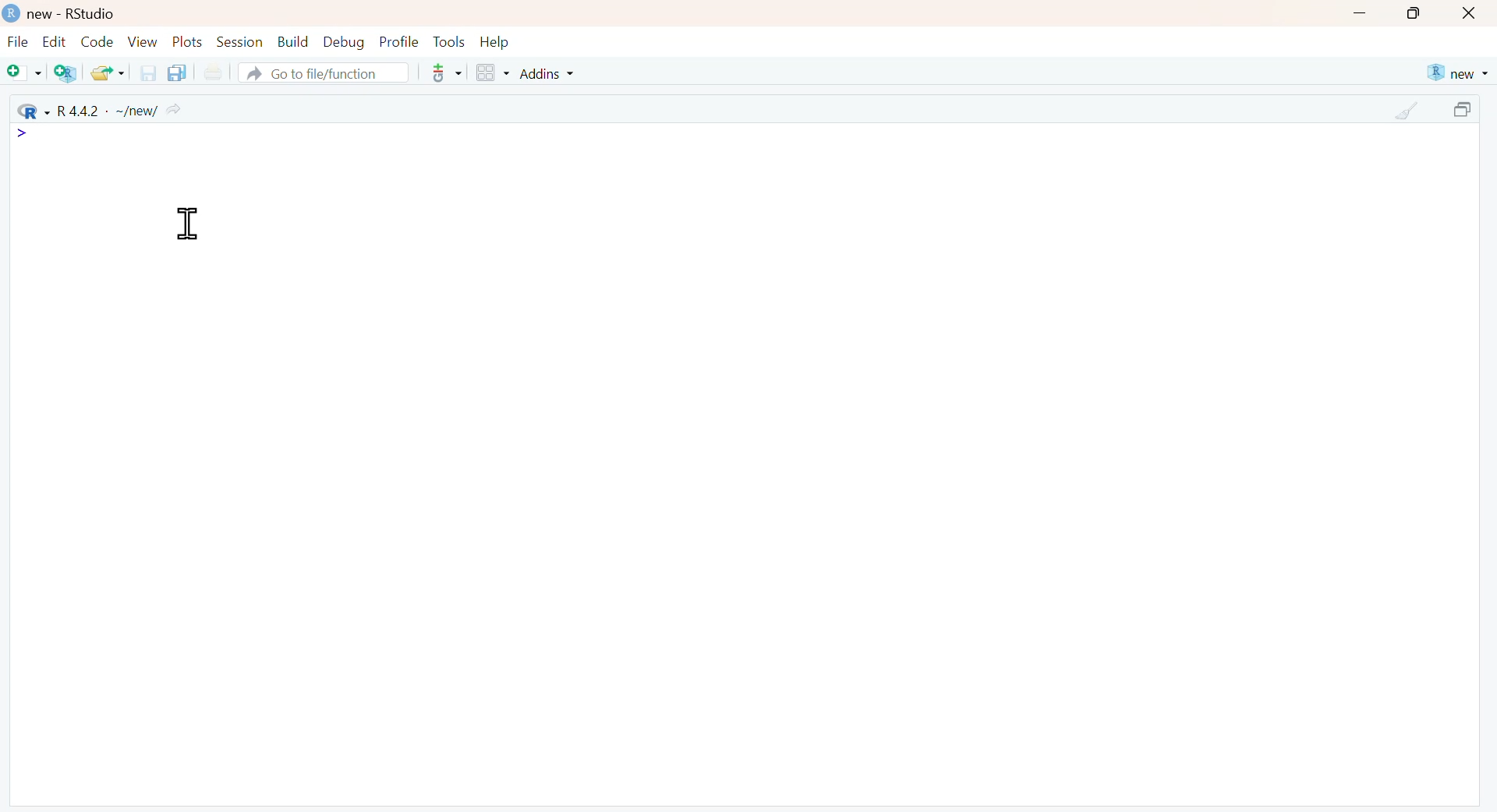 This screenshot has height=812, width=1497. I want to click on Debug, so click(345, 44).